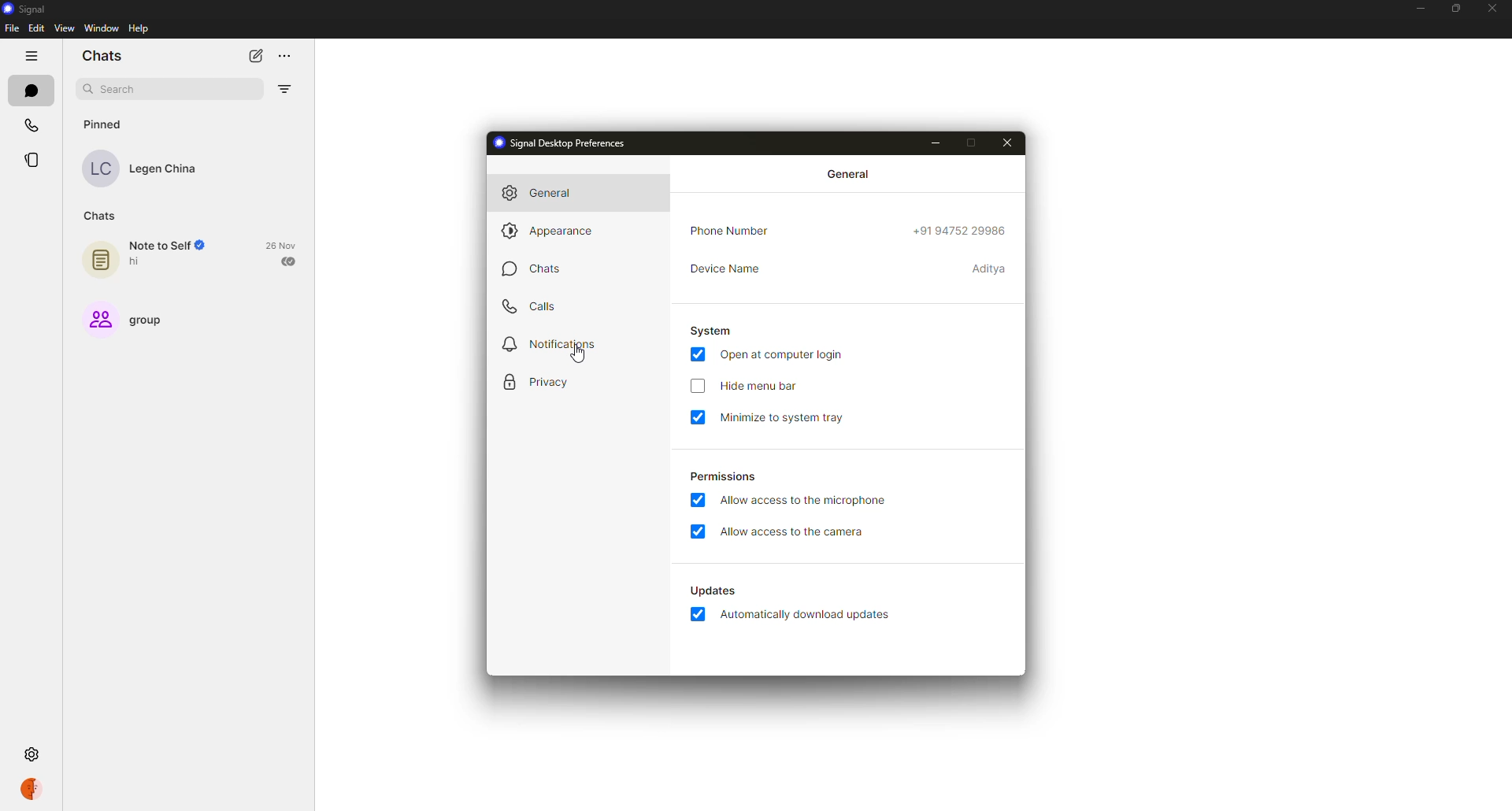 This screenshot has width=1512, height=811. Describe the element at coordinates (31, 756) in the screenshot. I see `settings` at that location.